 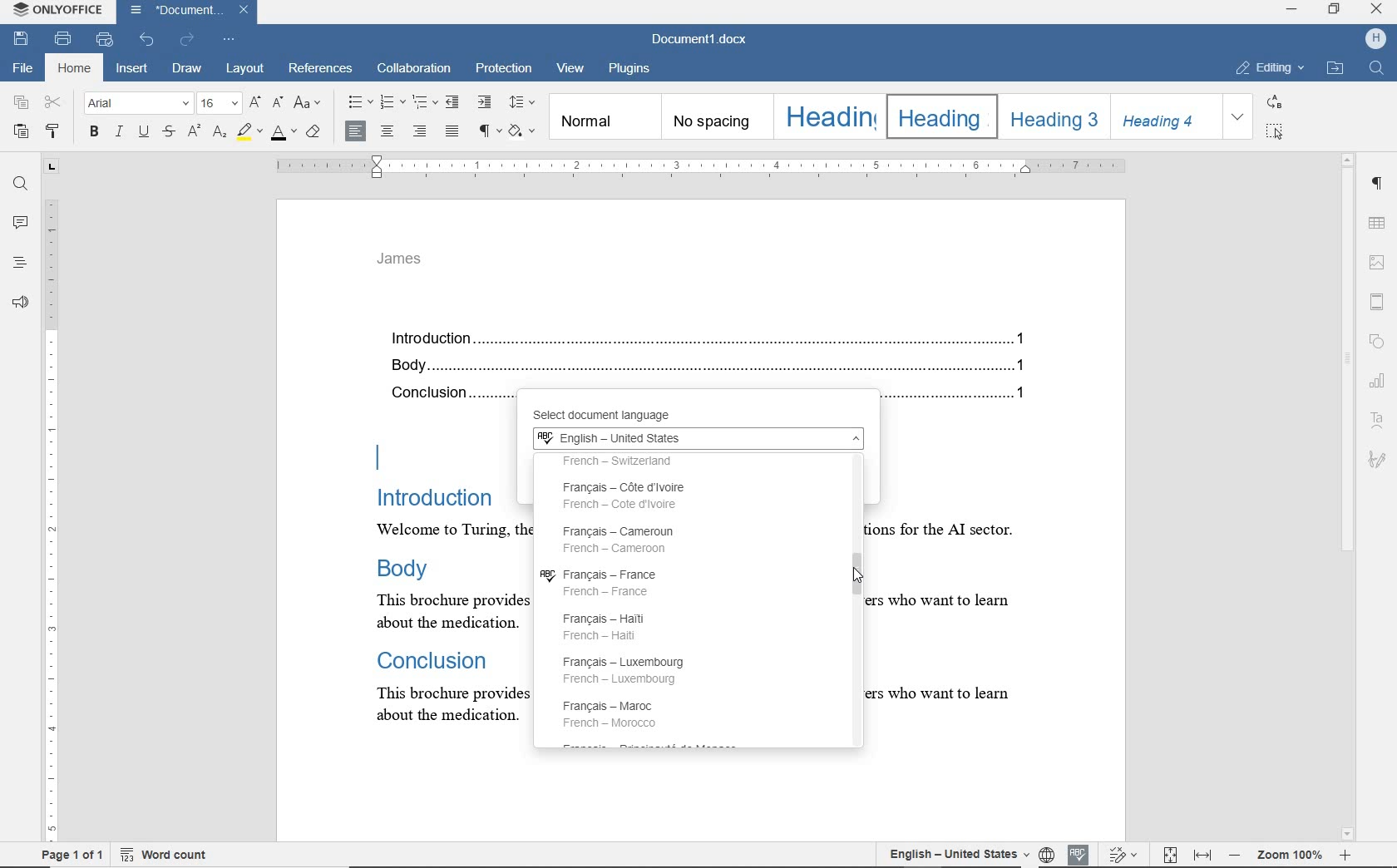 What do you see at coordinates (120, 132) in the screenshot?
I see `italic` at bounding box center [120, 132].